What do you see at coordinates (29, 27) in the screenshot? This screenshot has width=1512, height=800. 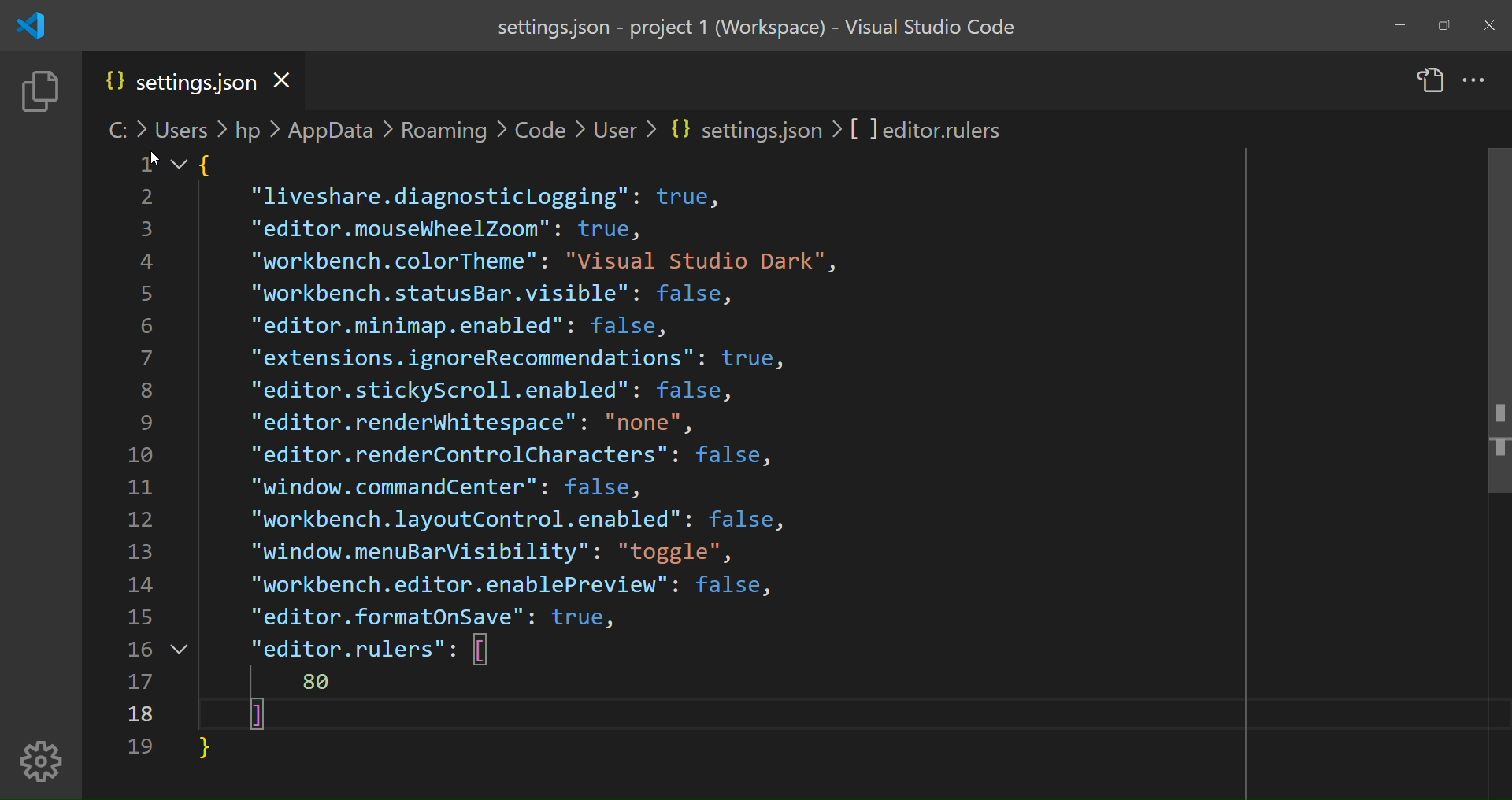 I see `logo` at bounding box center [29, 27].